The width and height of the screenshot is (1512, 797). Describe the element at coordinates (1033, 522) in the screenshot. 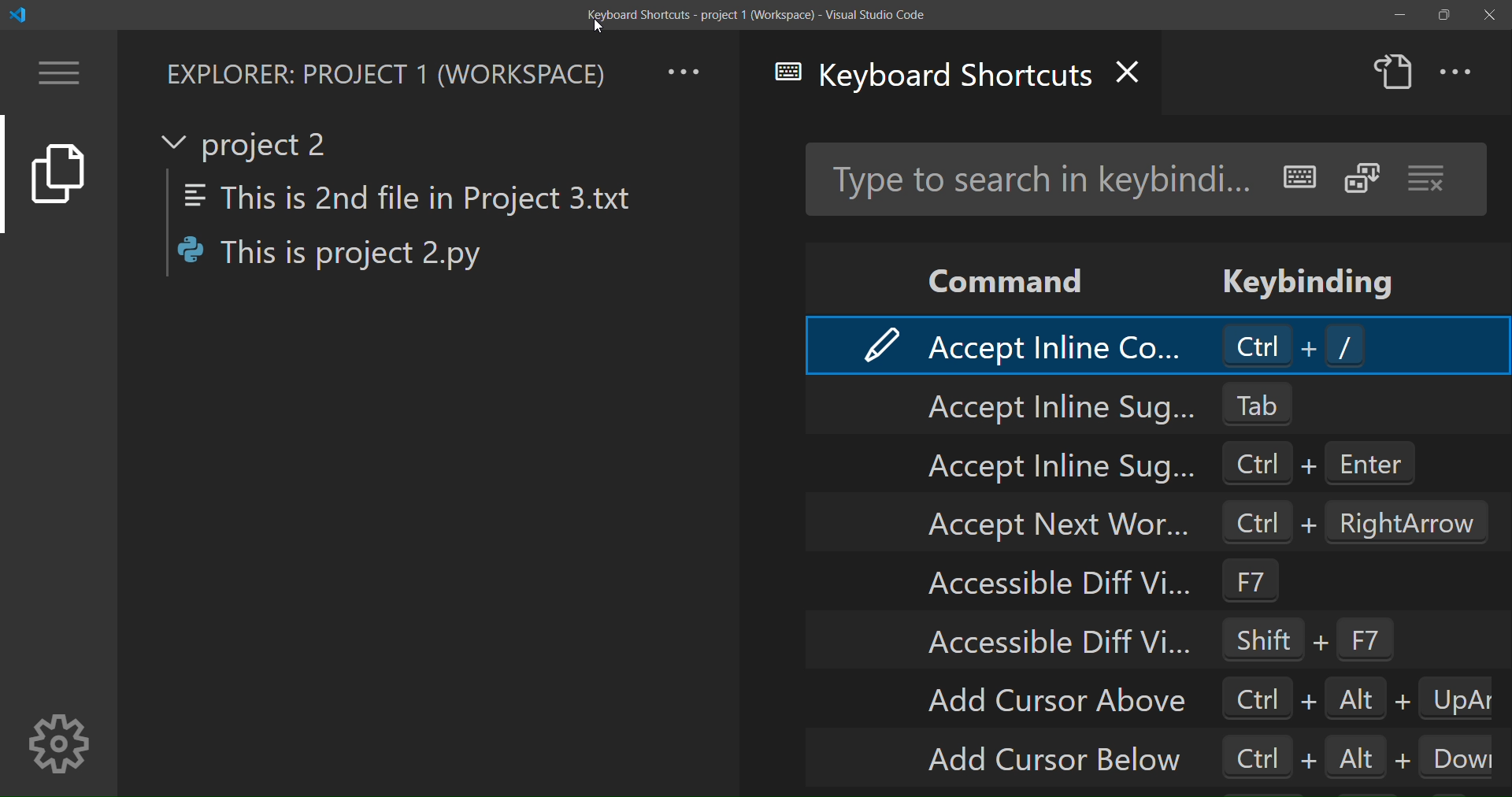

I see `accept next Wor...` at that location.